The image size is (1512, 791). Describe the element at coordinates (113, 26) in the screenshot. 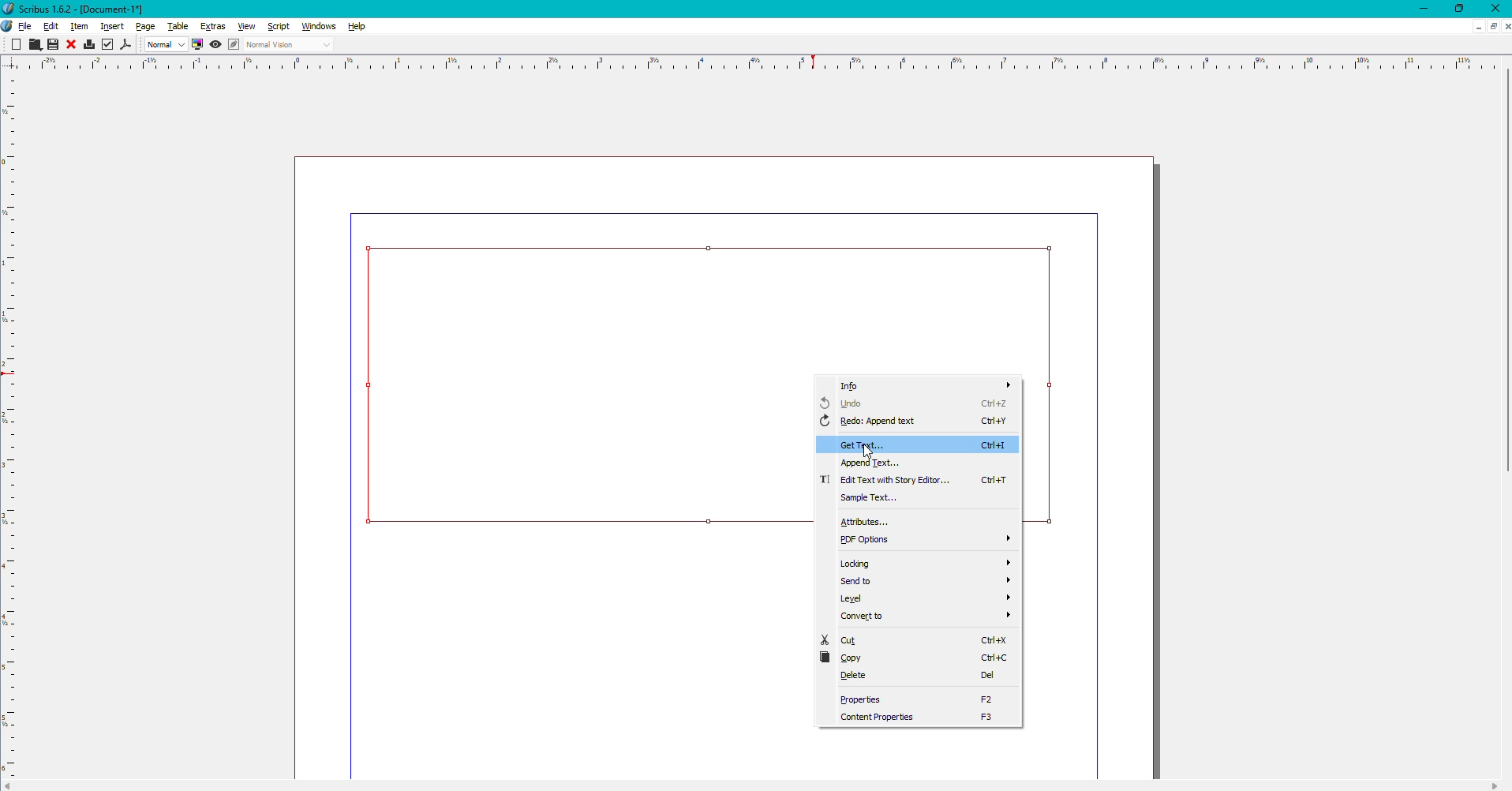

I see `Insert` at that location.